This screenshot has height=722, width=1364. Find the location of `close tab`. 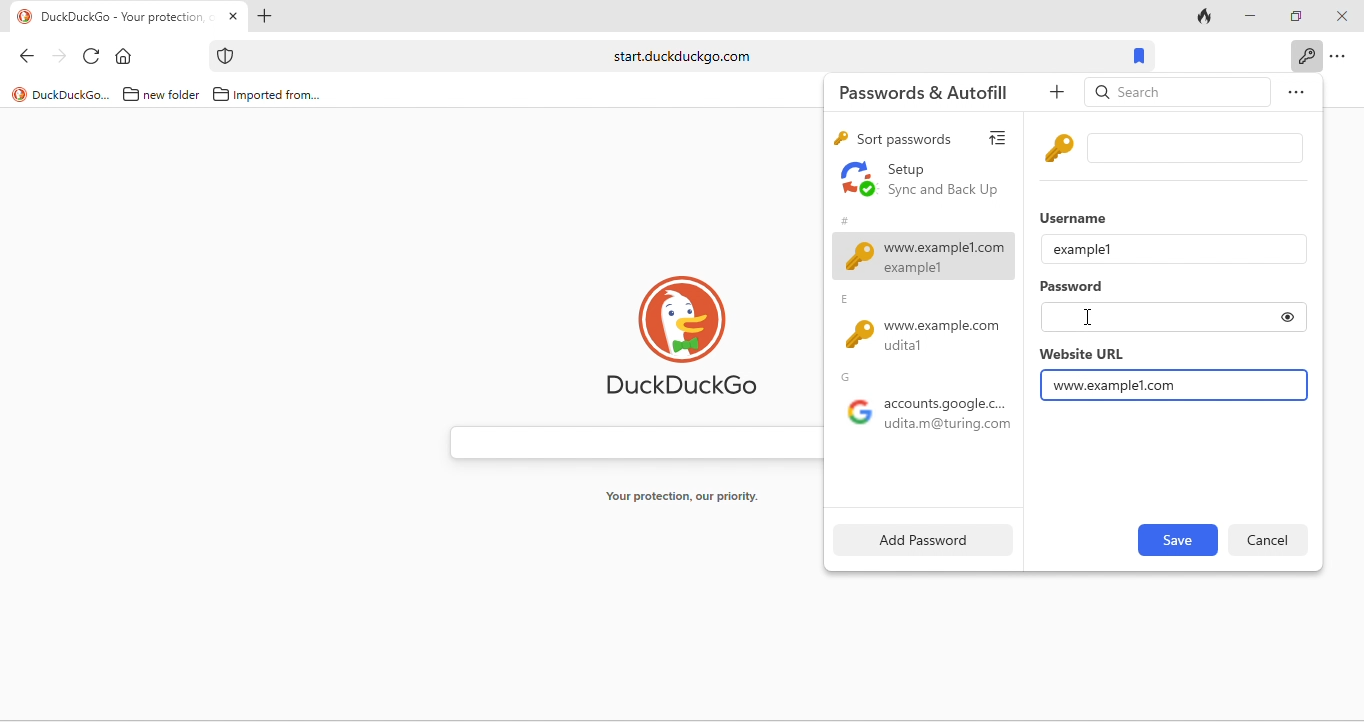

close tab is located at coordinates (233, 17).